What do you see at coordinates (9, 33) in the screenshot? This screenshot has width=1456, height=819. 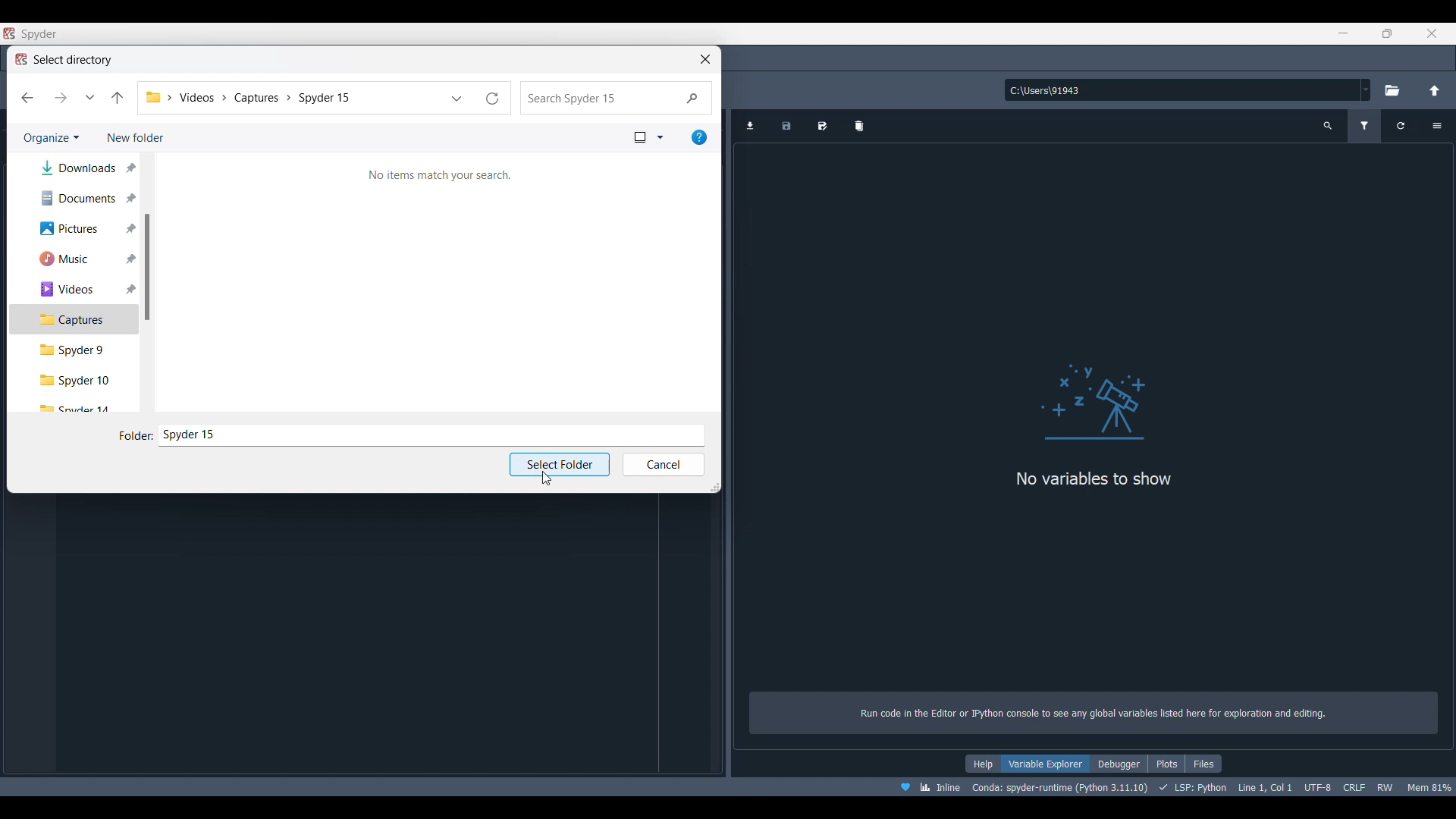 I see `Software logo` at bounding box center [9, 33].